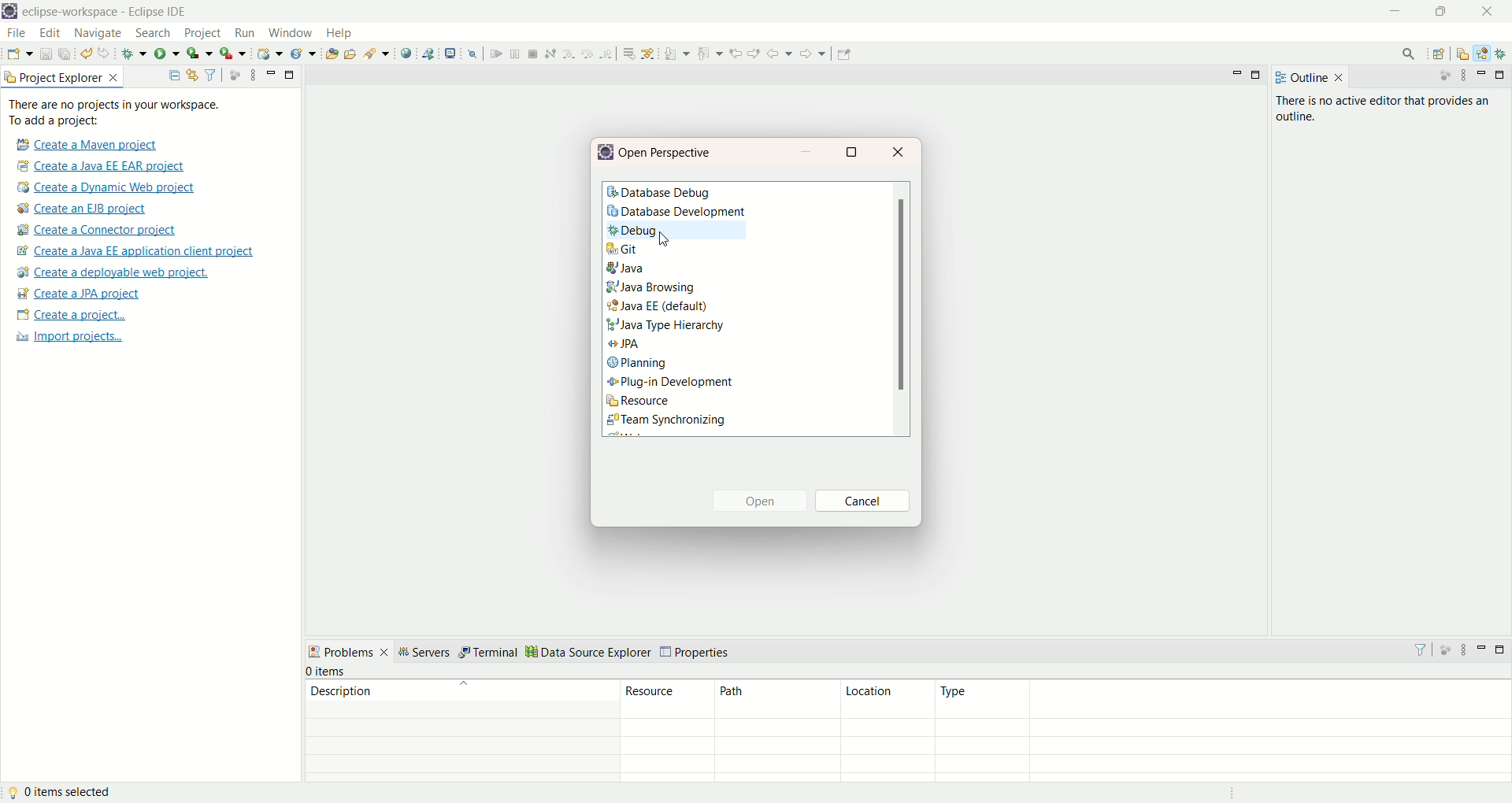 This screenshot has width=1512, height=803. Describe the element at coordinates (154, 32) in the screenshot. I see `search` at that location.